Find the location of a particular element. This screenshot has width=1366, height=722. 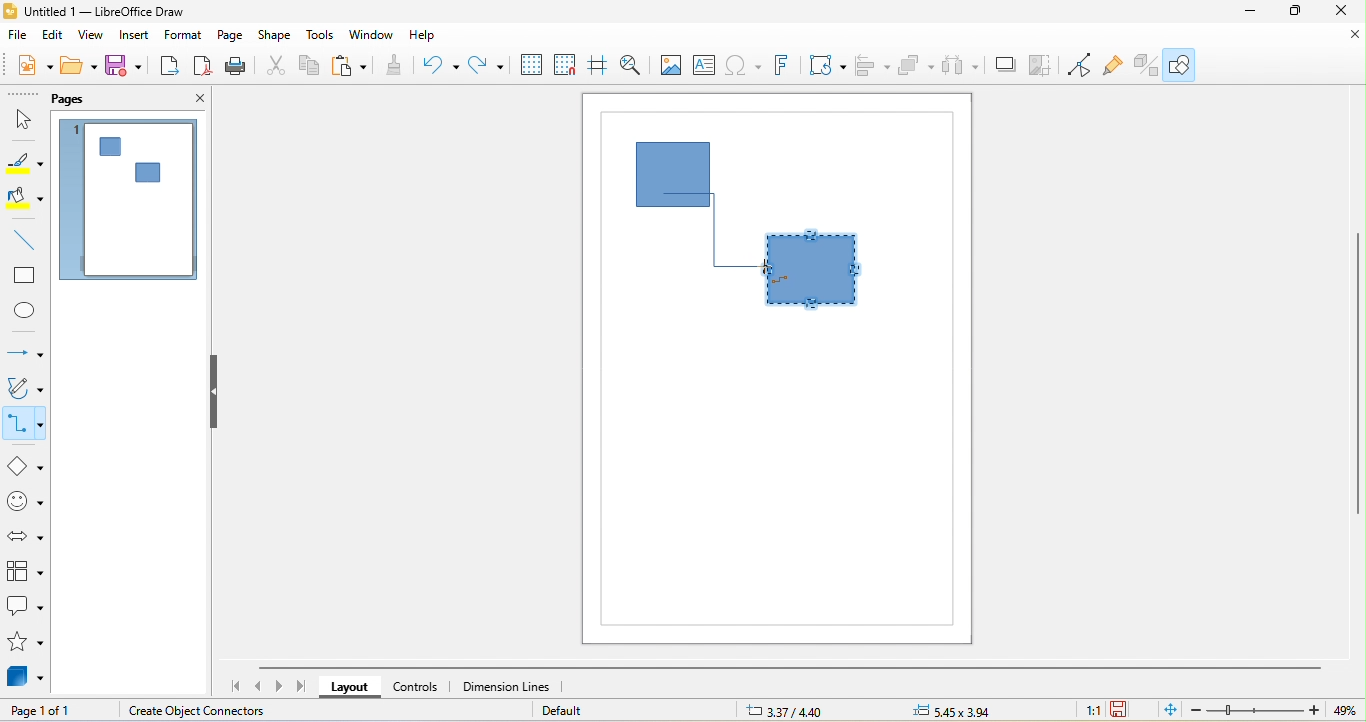

crop image is located at coordinates (1044, 65).